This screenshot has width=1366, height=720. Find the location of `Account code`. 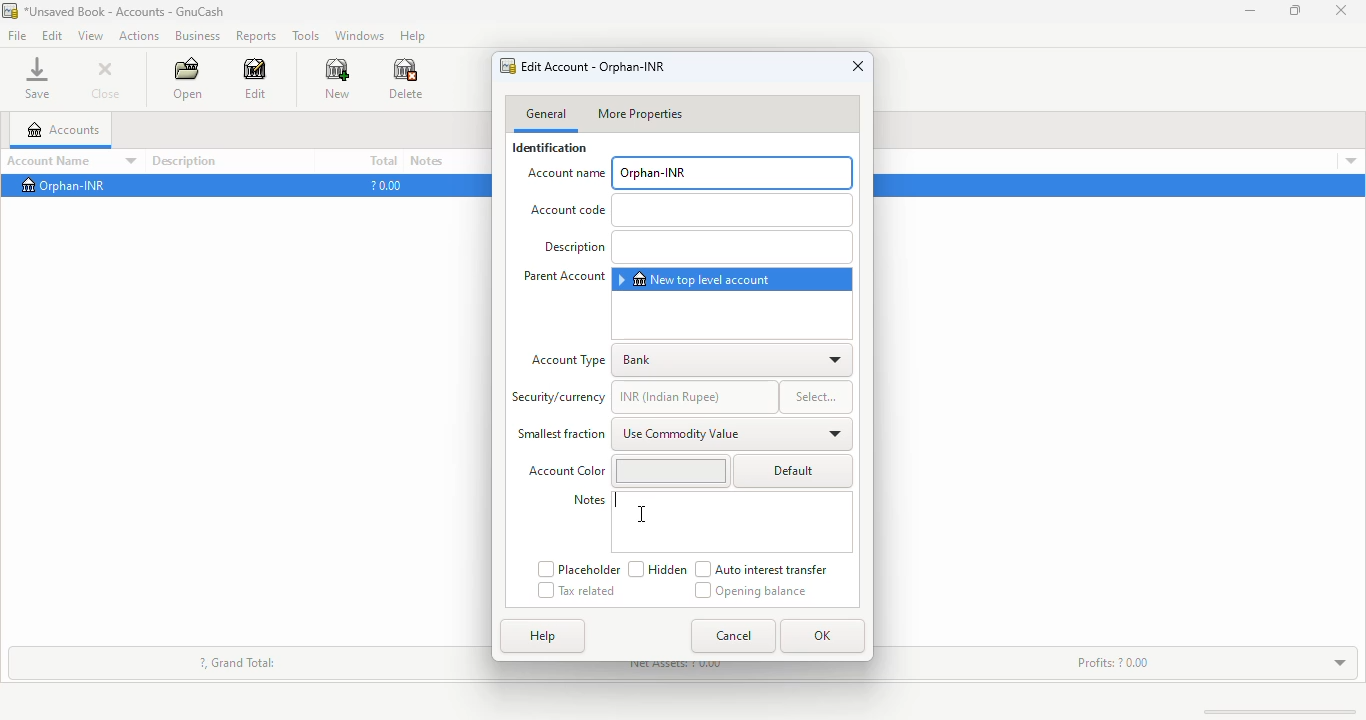

Account code is located at coordinates (562, 211).